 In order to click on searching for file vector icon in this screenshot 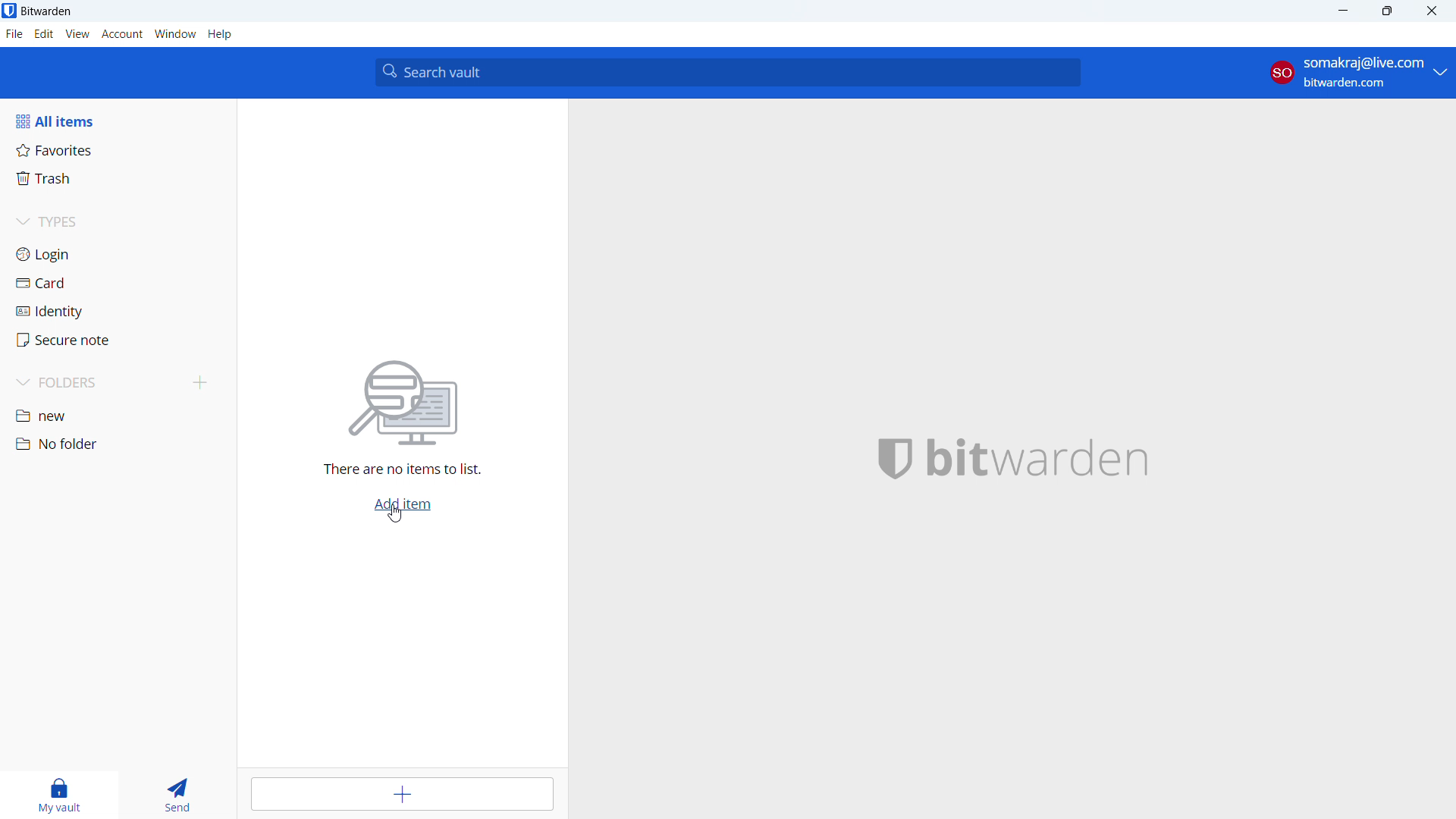, I will do `click(402, 403)`.